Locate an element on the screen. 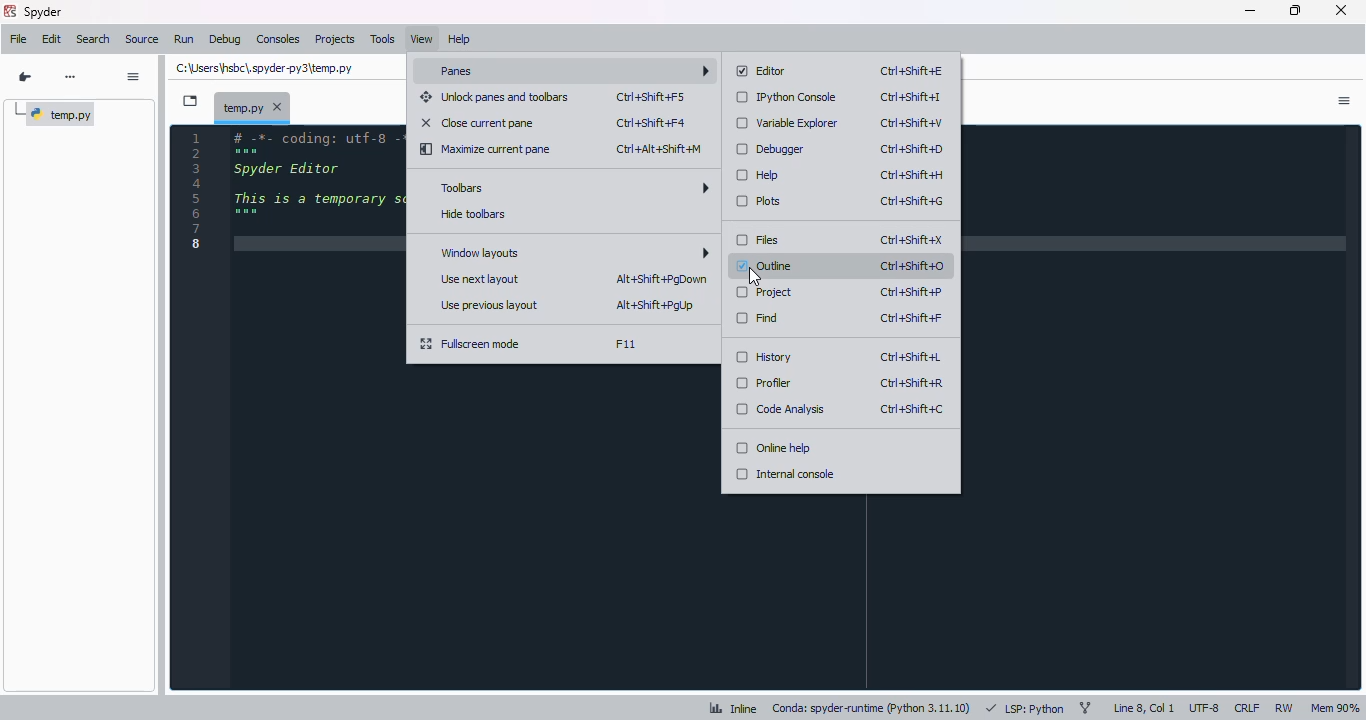  edit is located at coordinates (52, 39).